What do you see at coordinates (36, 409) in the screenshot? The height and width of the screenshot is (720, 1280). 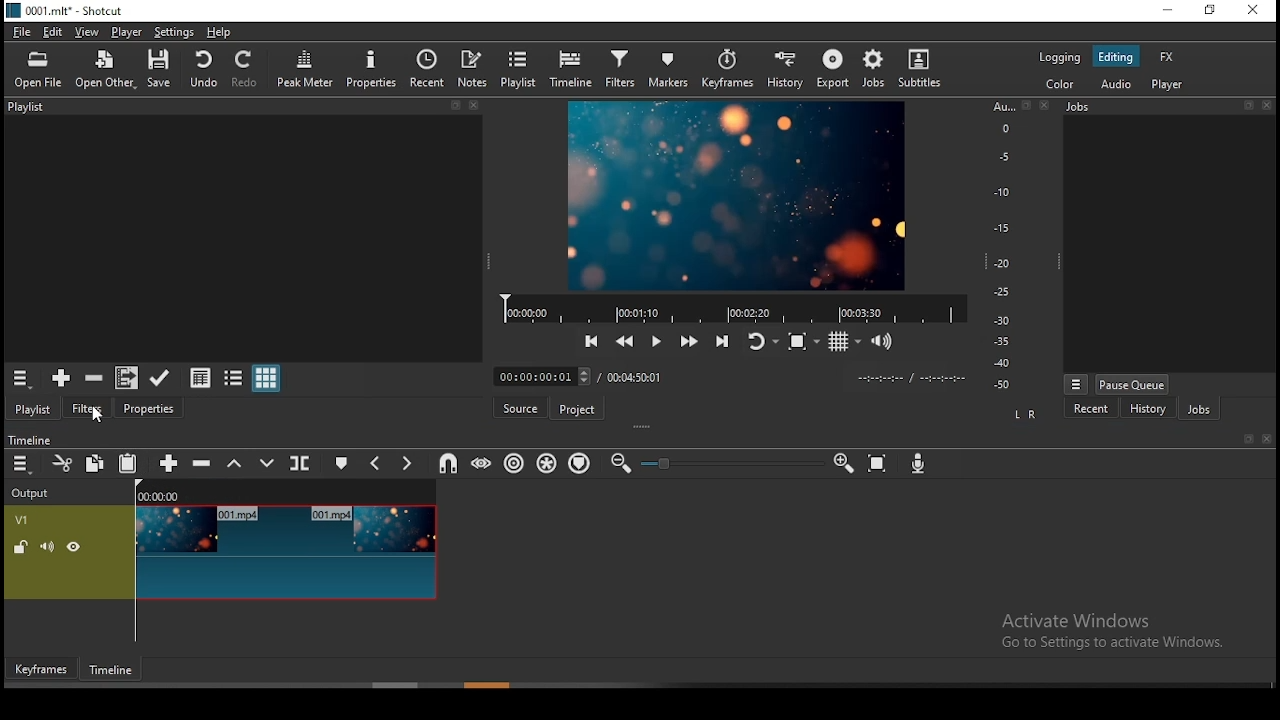 I see `playlist` at bounding box center [36, 409].